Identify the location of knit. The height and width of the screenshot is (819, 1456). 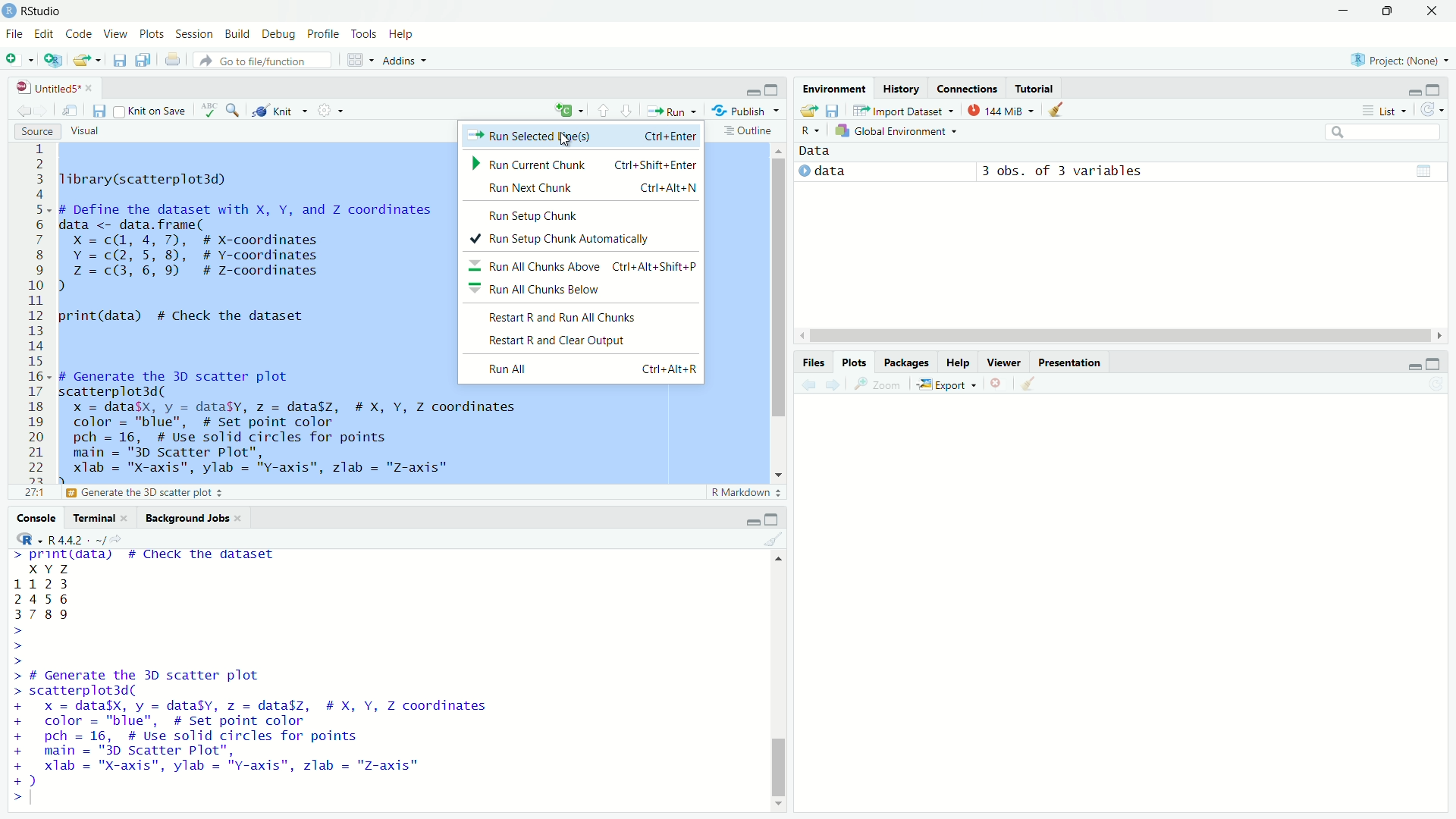
(278, 108).